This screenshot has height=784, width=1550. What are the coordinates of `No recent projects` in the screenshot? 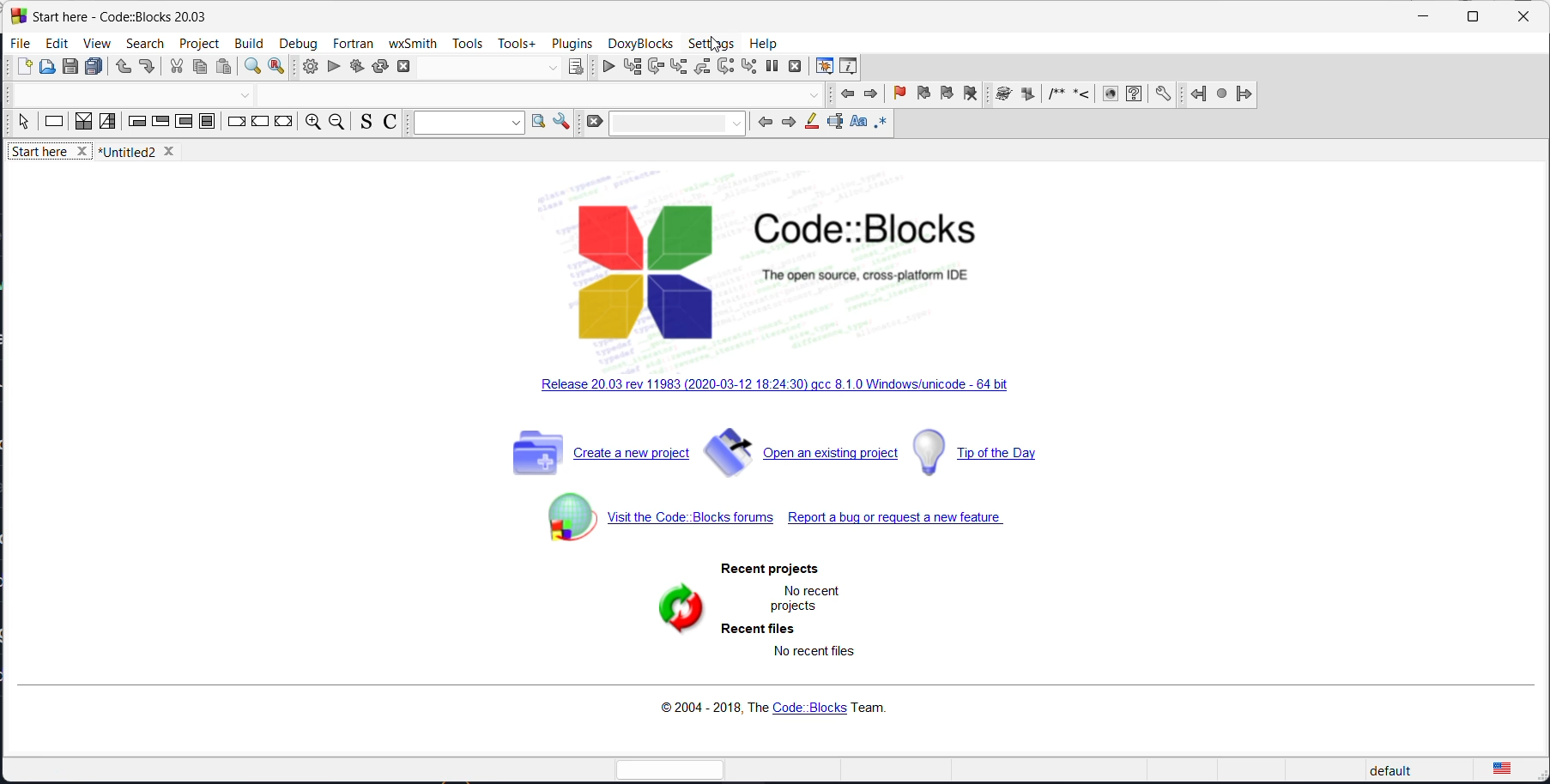 It's located at (803, 598).